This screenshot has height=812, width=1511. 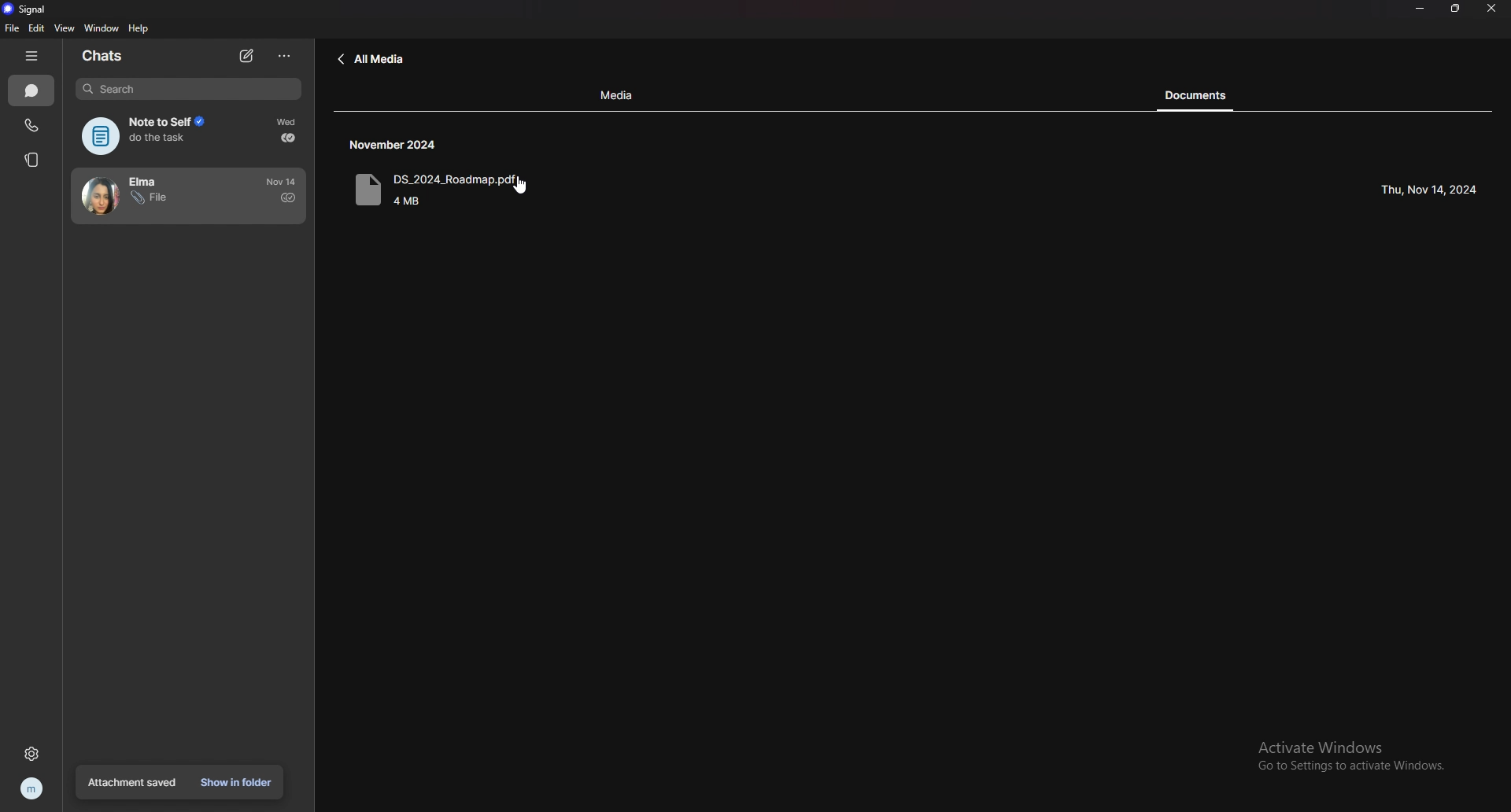 I want to click on contact, so click(x=155, y=196).